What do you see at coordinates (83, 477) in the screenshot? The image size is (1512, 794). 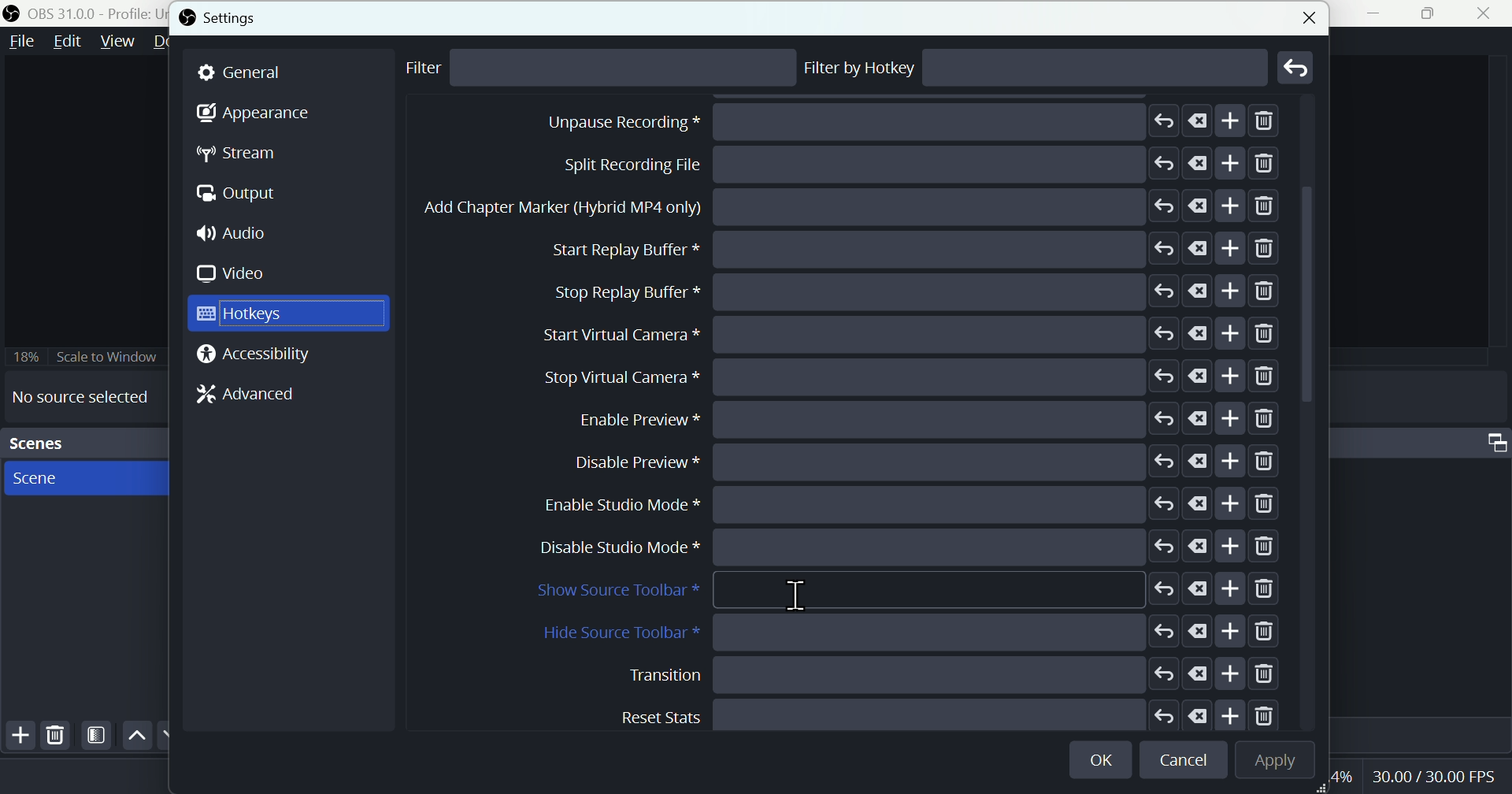 I see `scenes` at bounding box center [83, 477].